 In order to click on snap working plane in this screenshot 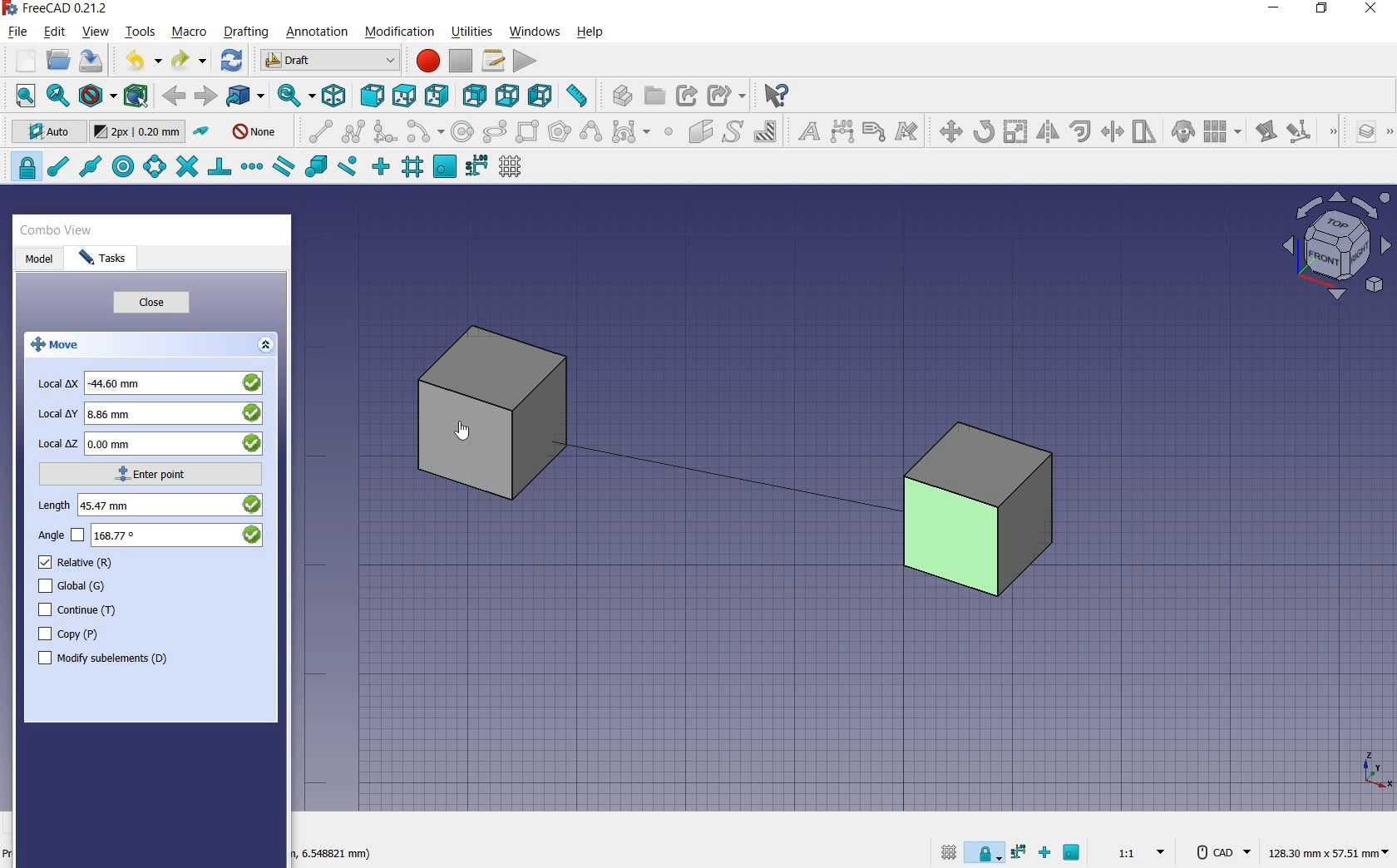, I will do `click(446, 167)`.